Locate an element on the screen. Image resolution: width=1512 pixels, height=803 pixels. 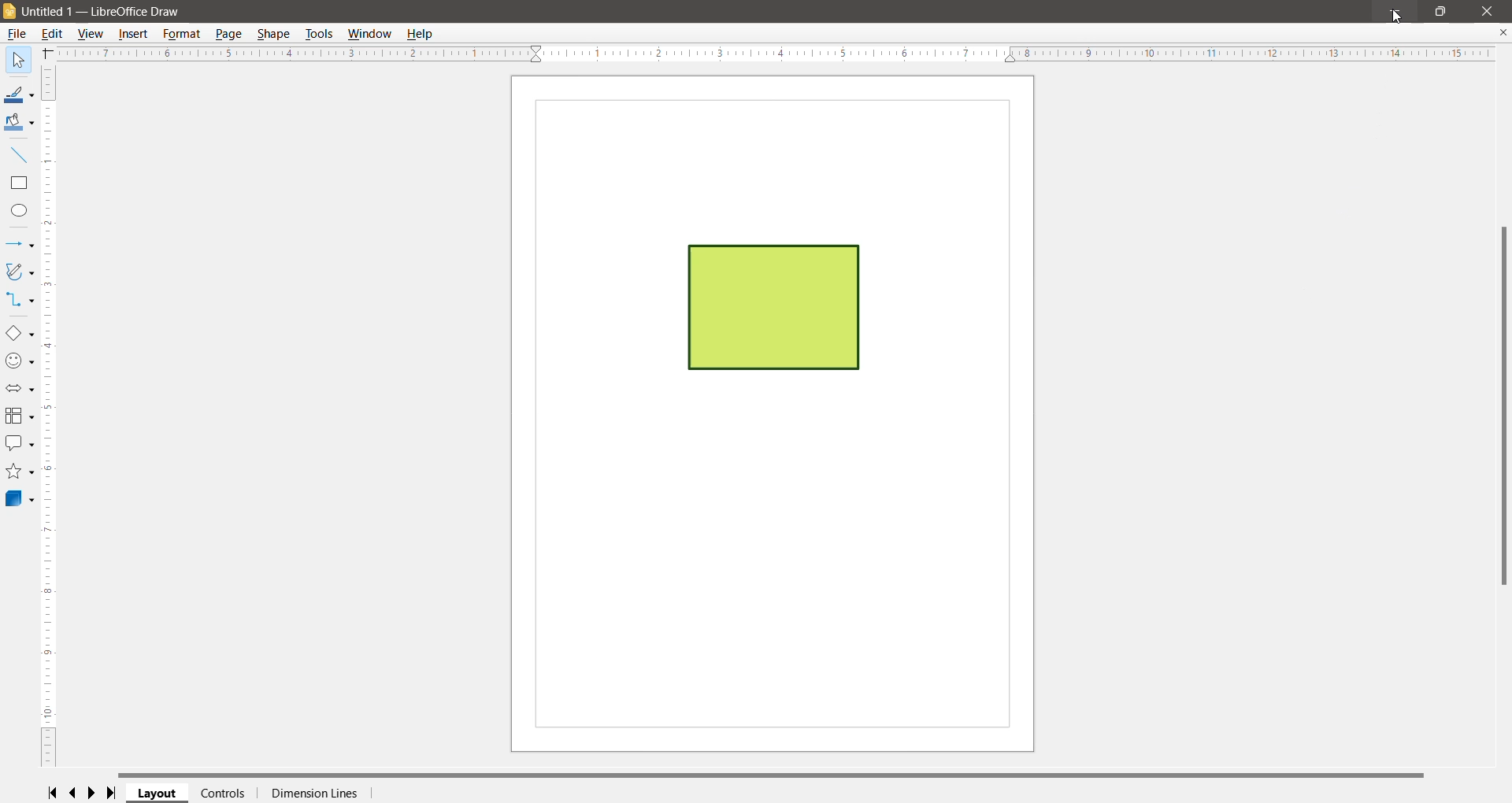
scrollbar is located at coordinates (1499, 409).